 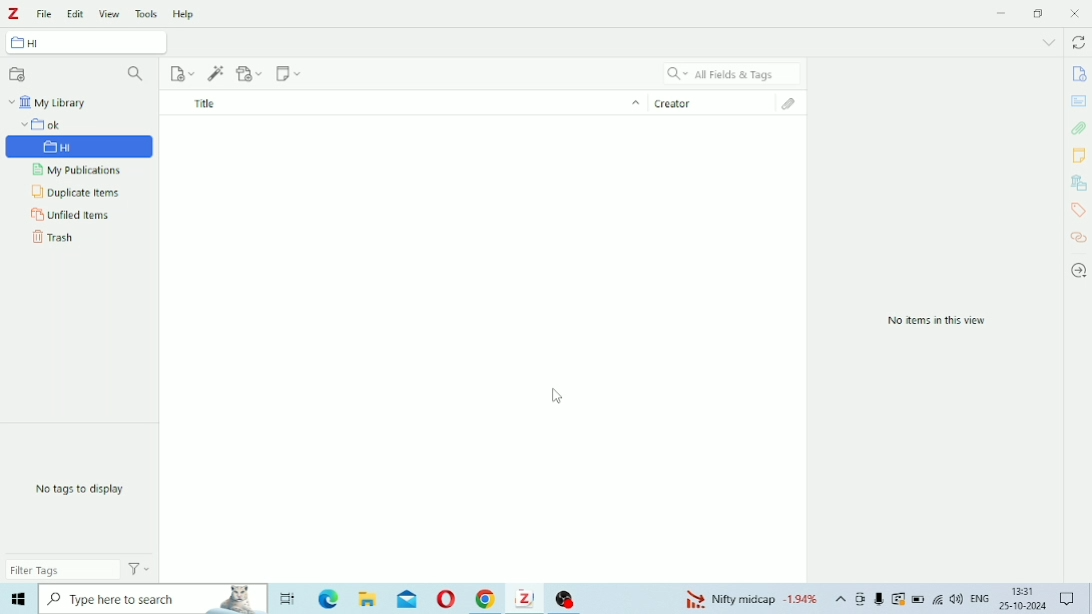 What do you see at coordinates (1078, 101) in the screenshot?
I see `Abstract` at bounding box center [1078, 101].